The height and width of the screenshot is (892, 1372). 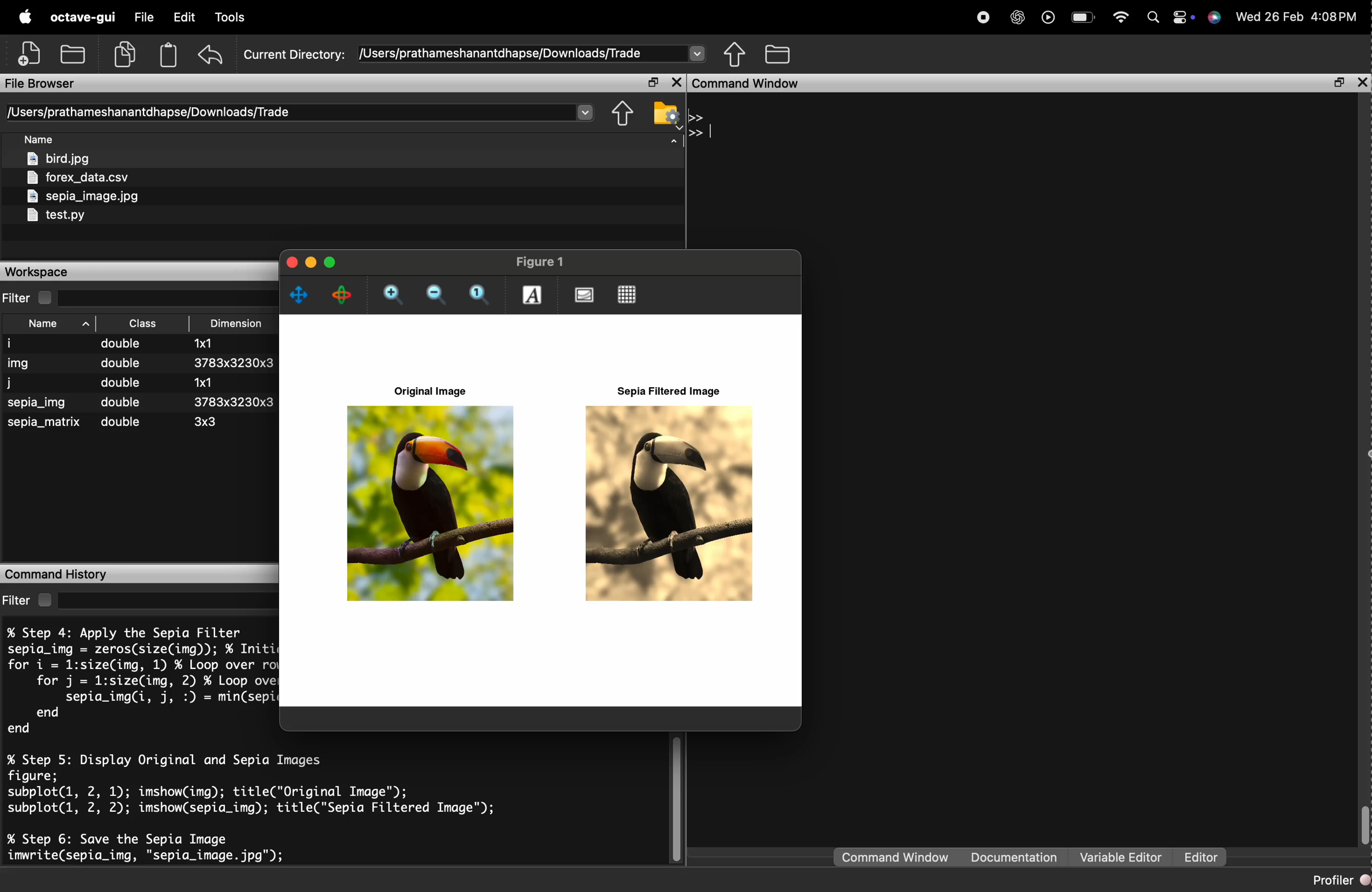 What do you see at coordinates (1362, 82) in the screenshot?
I see `close` at bounding box center [1362, 82].